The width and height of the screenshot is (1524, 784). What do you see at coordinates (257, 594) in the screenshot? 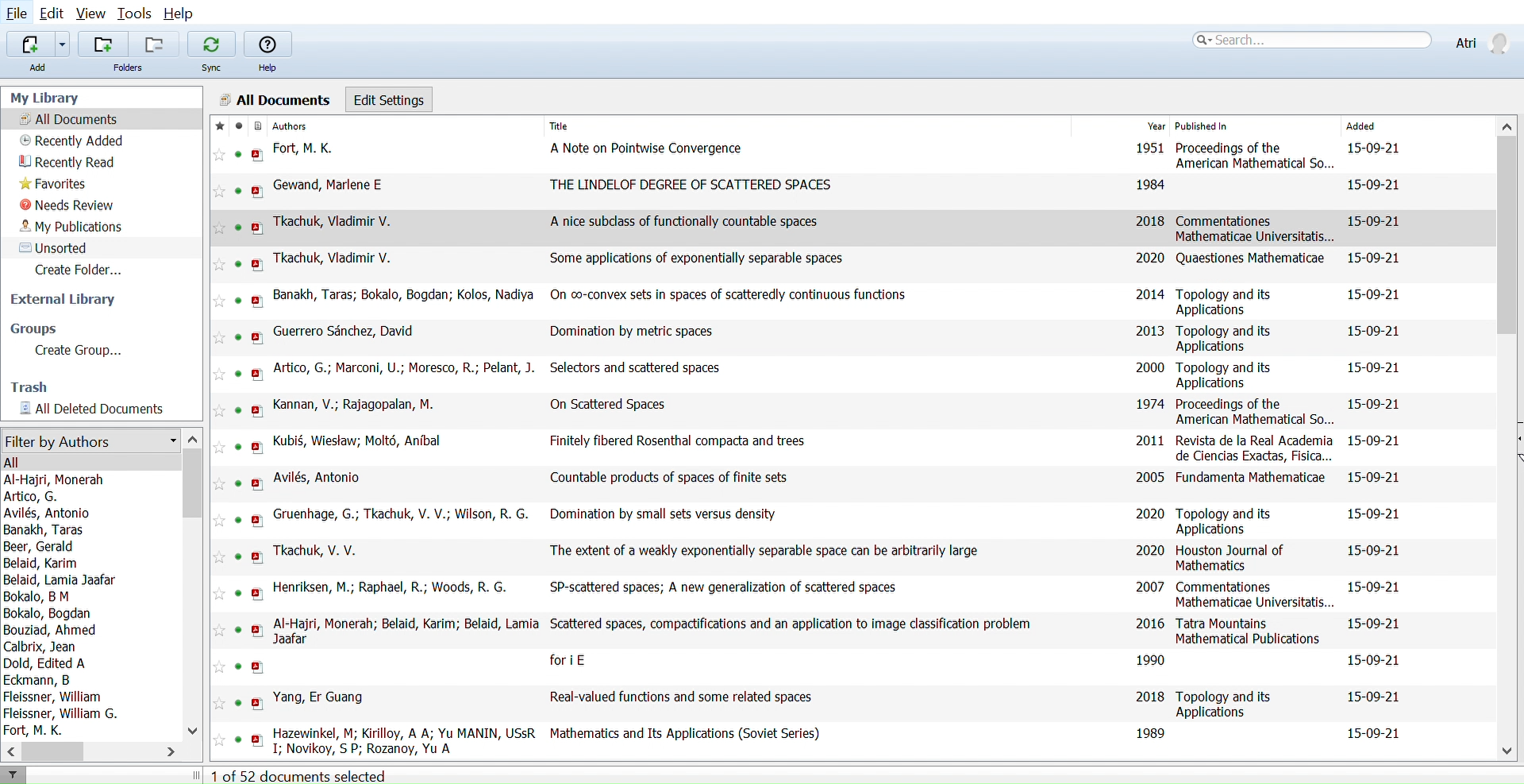
I see `open PDF` at bounding box center [257, 594].